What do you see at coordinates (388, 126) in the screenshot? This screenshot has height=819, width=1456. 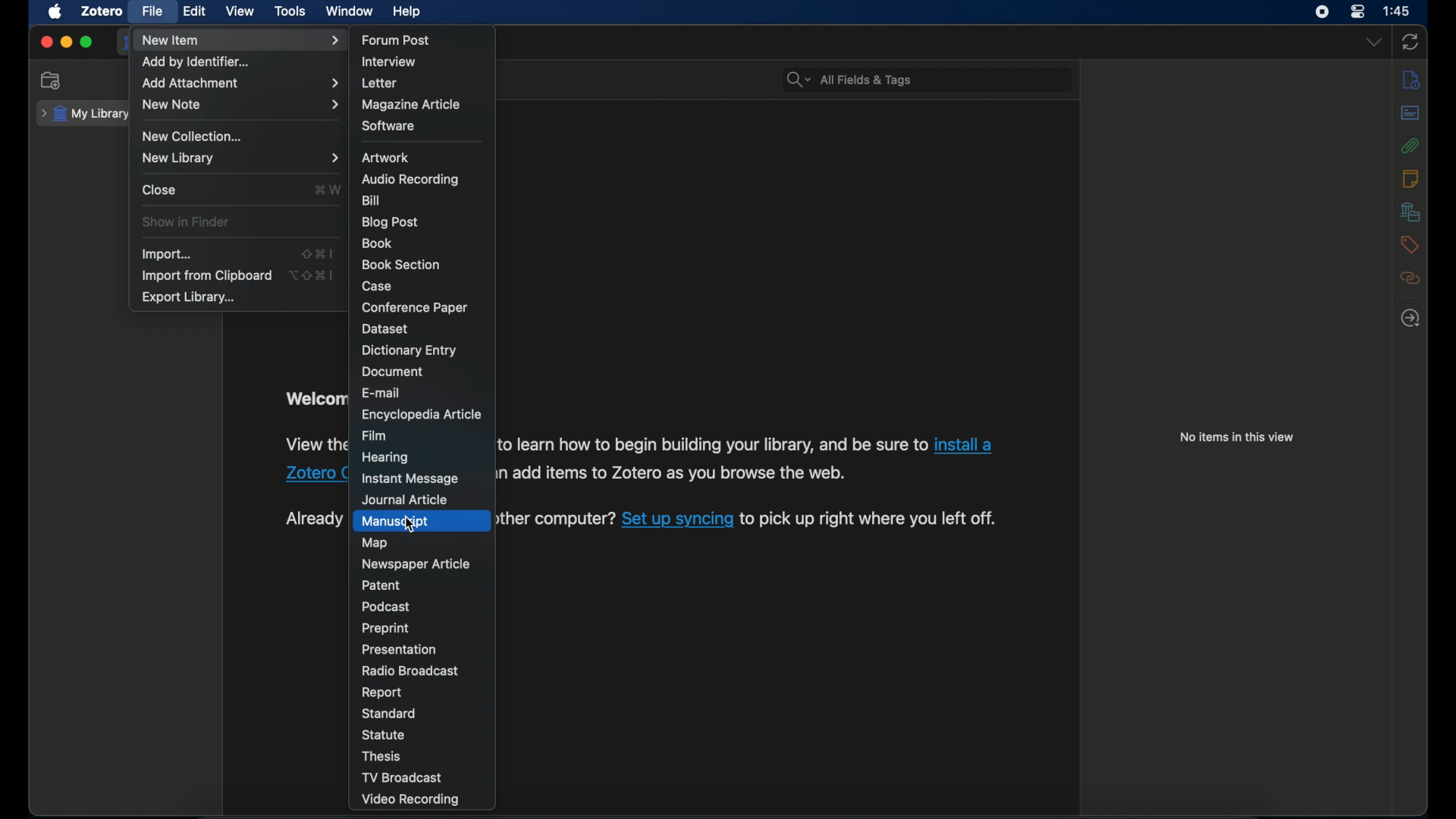 I see `software` at bounding box center [388, 126].